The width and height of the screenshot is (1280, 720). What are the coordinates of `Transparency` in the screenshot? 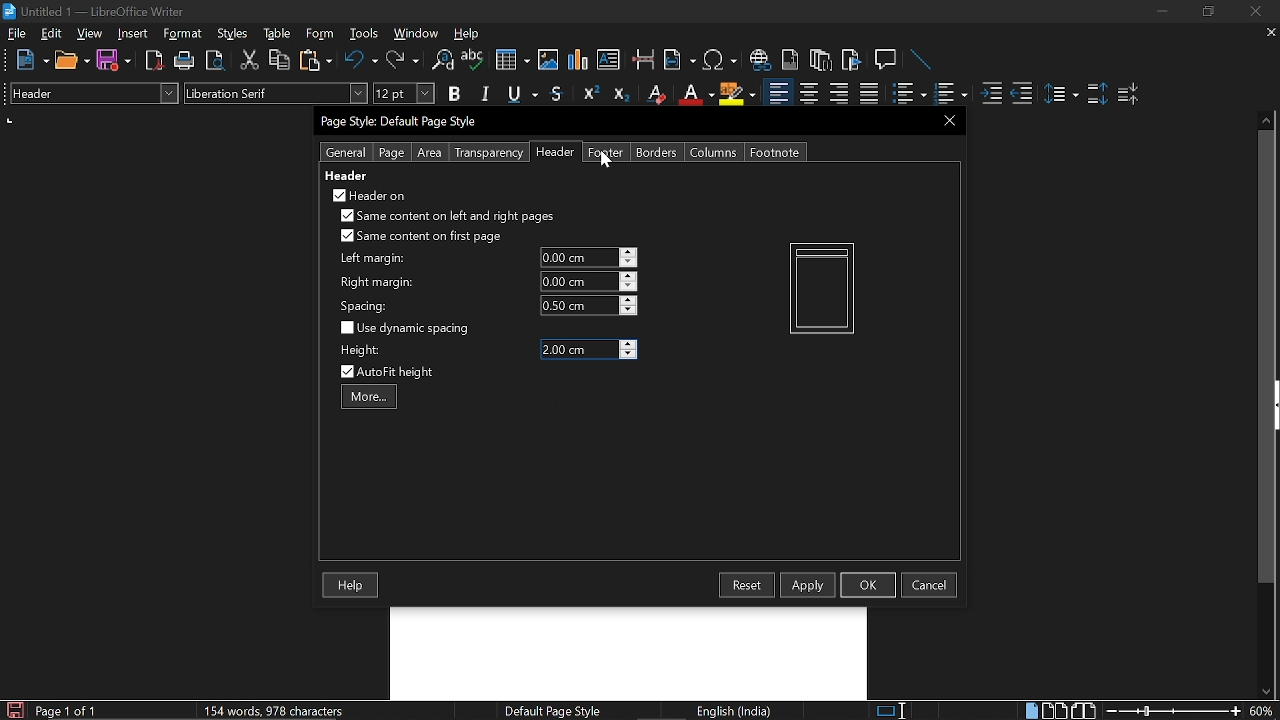 It's located at (487, 153).